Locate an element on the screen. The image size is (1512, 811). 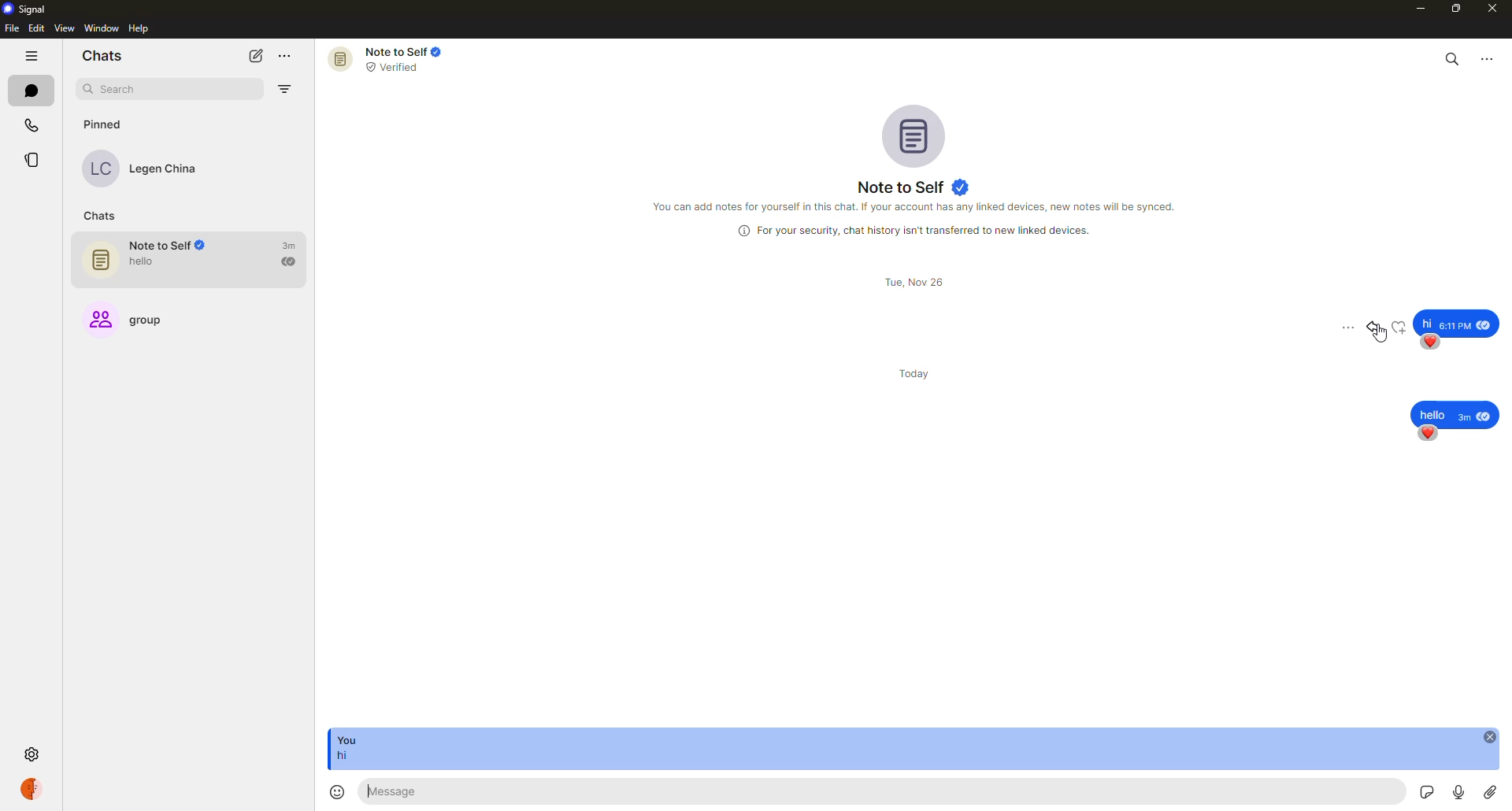
reply is located at coordinates (1377, 328).